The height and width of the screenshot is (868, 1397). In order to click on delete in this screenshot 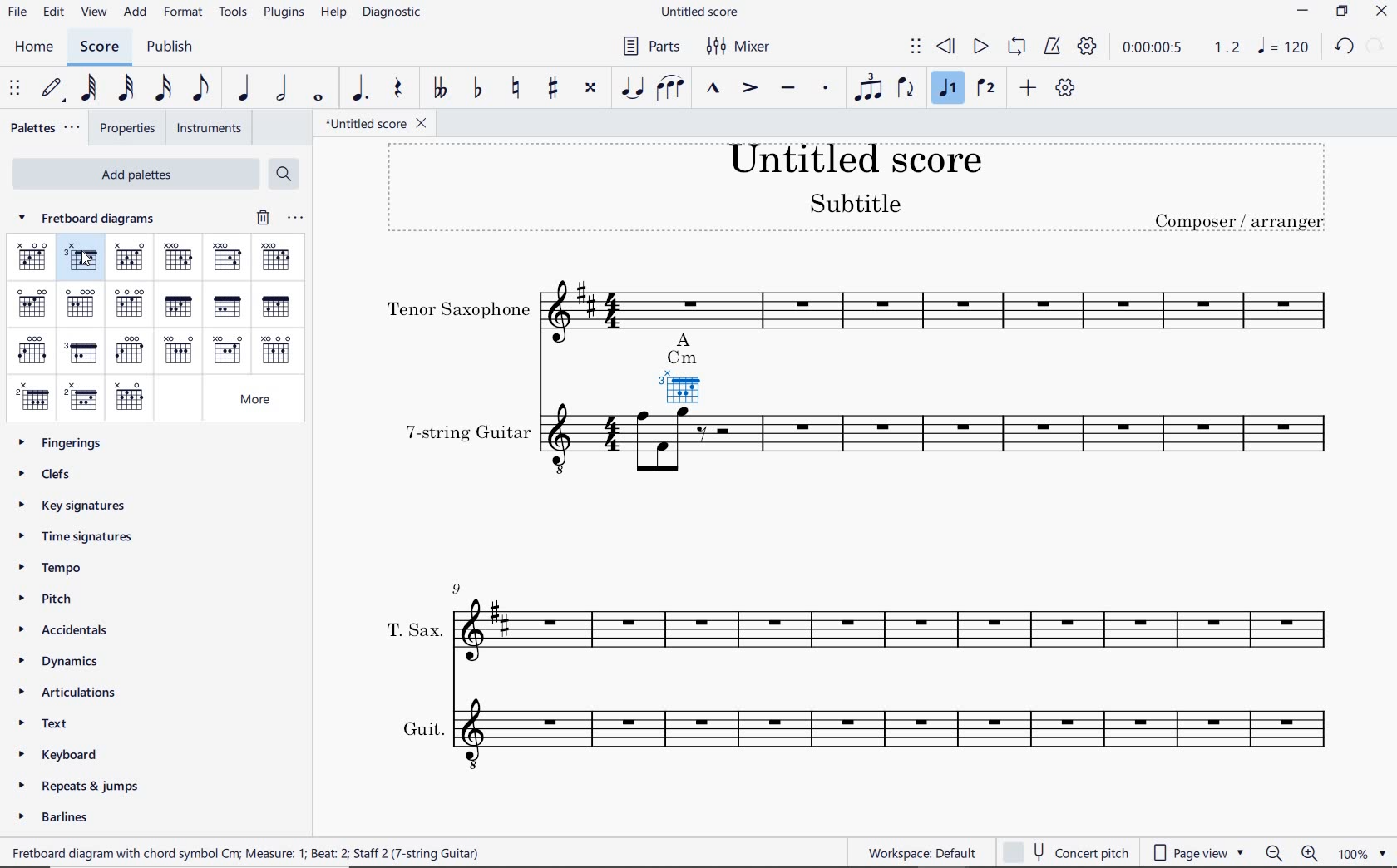, I will do `click(260, 218)`.